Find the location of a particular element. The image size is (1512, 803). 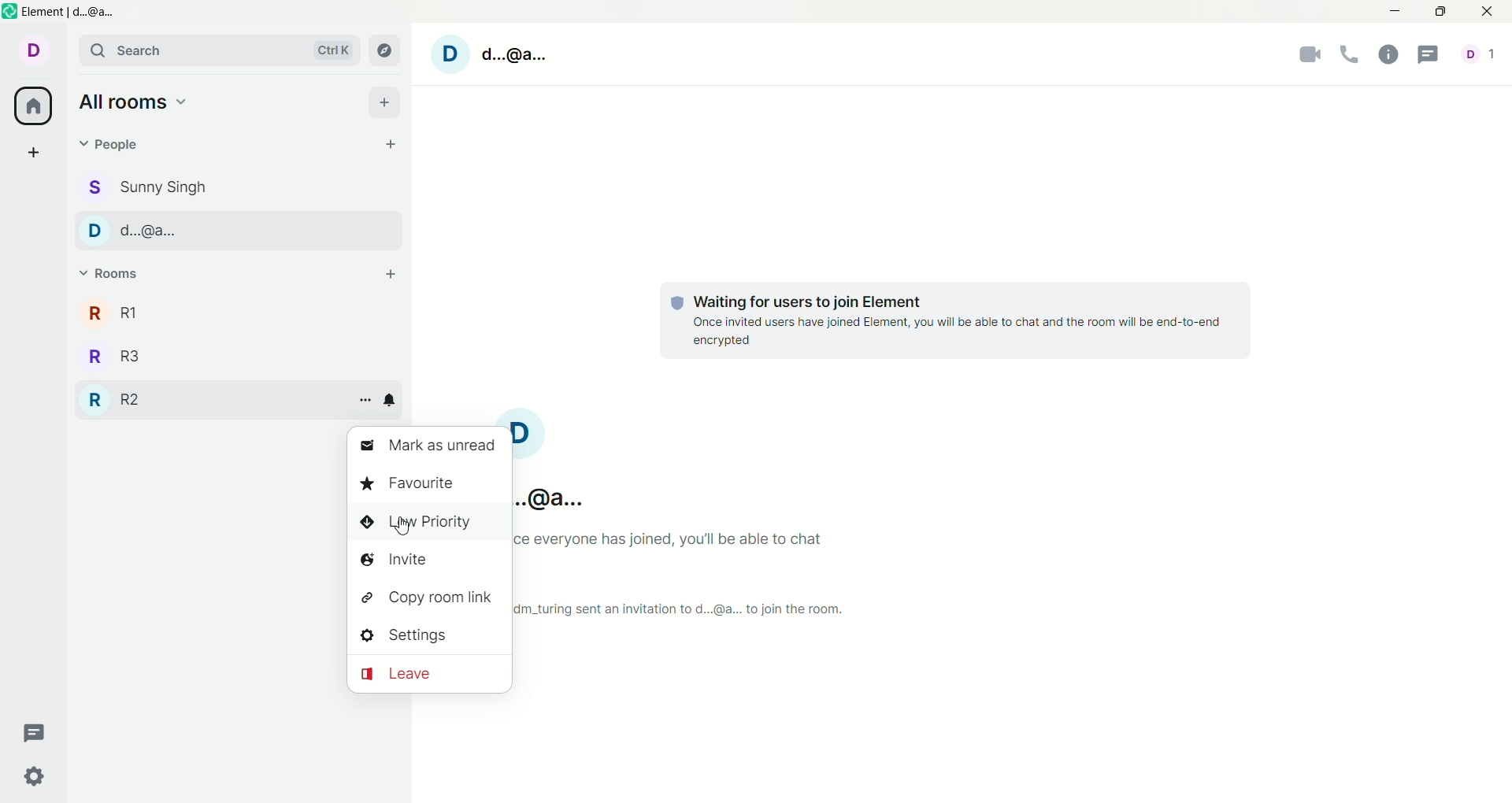

add is located at coordinates (386, 103).